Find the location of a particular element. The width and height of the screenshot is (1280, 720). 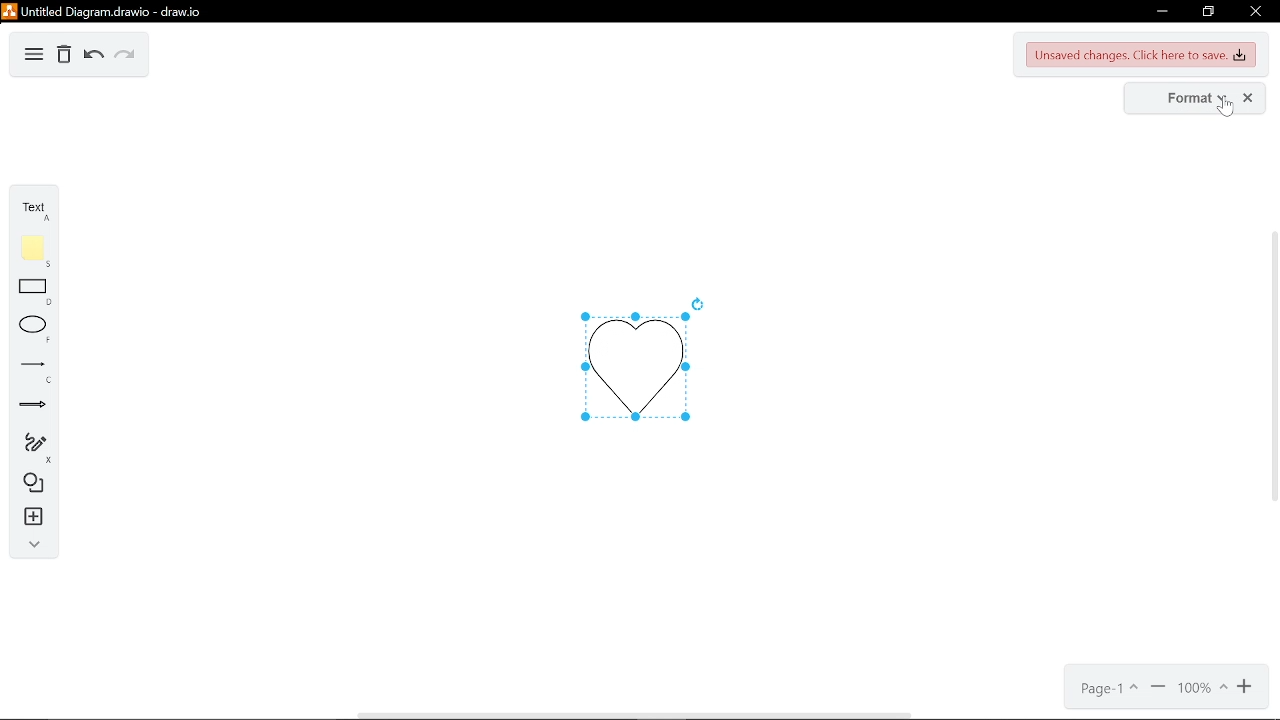

restore down is located at coordinates (1210, 12).